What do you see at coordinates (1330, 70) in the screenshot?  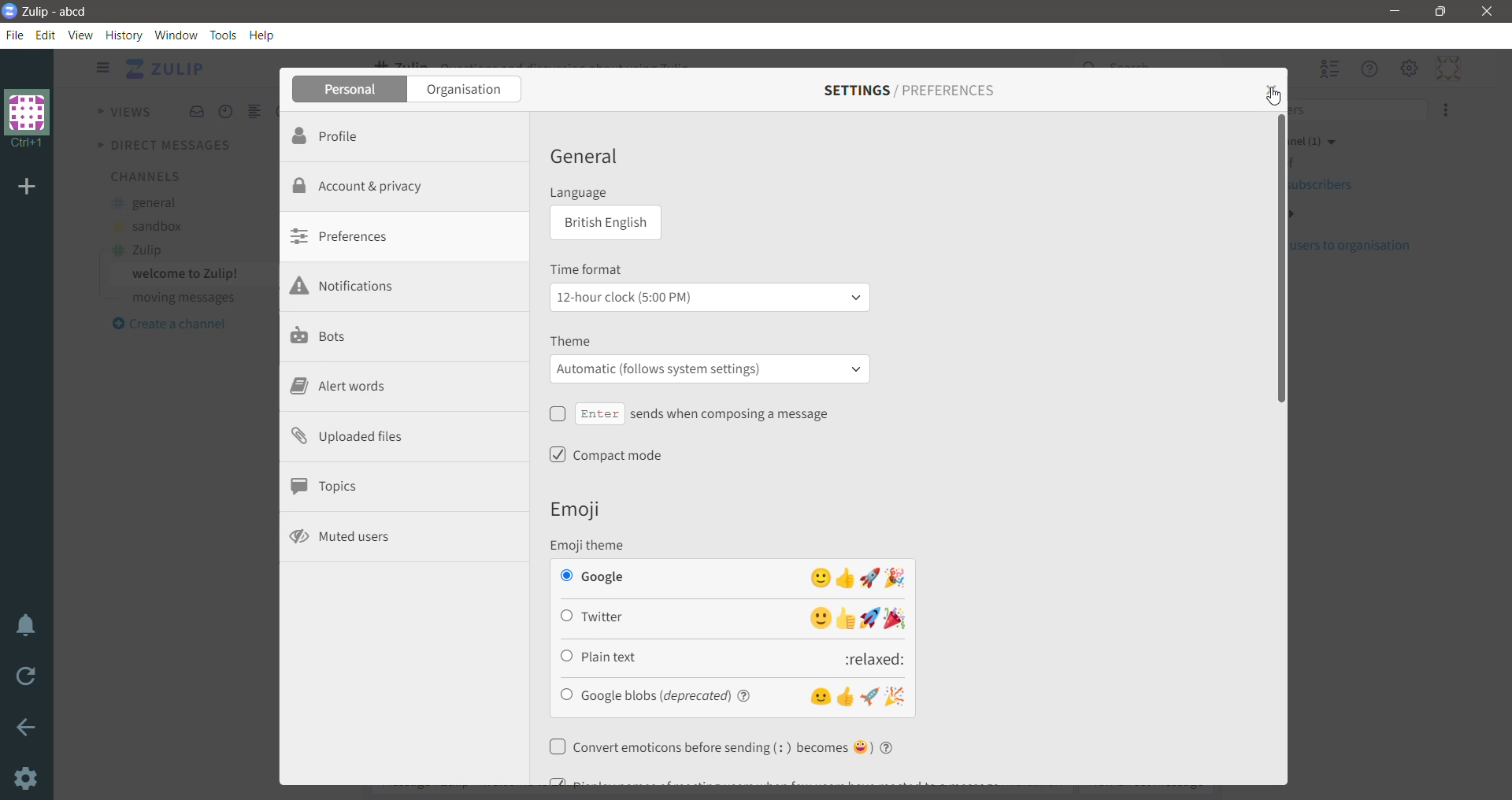 I see `Hide user list` at bounding box center [1330, 70].